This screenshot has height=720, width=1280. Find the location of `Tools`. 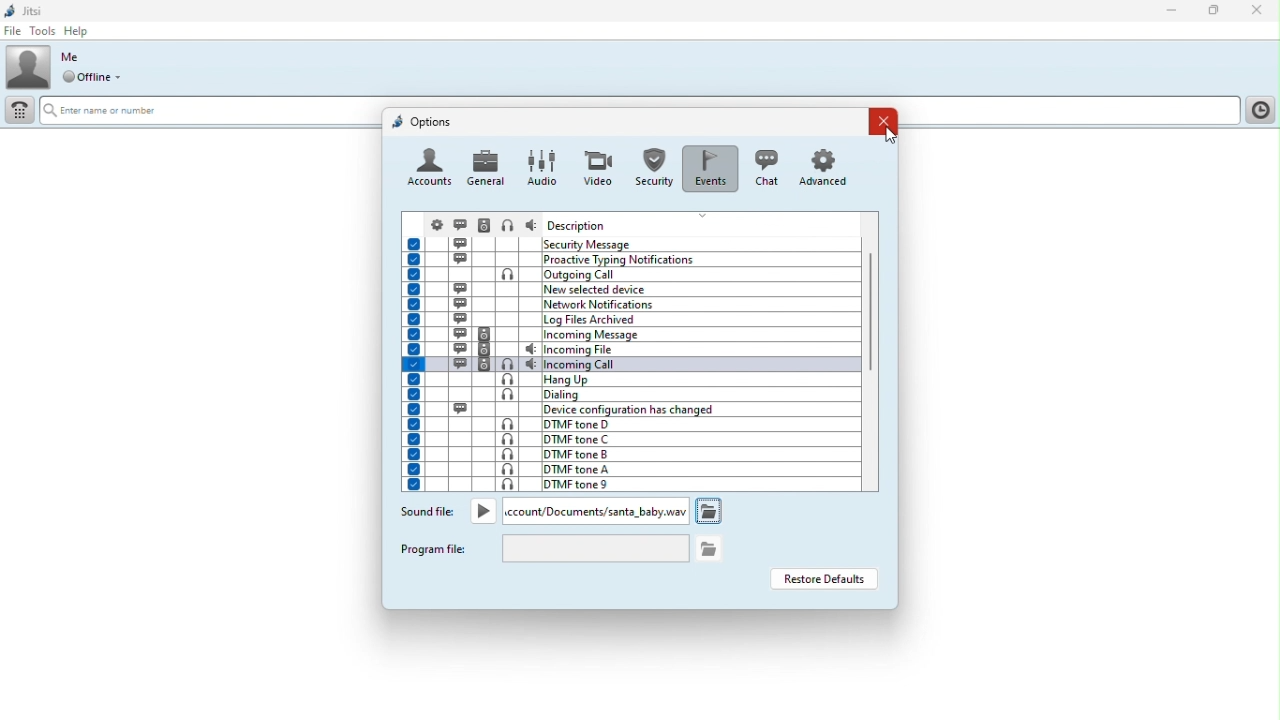

Tools is located at coordinates (42, 31).